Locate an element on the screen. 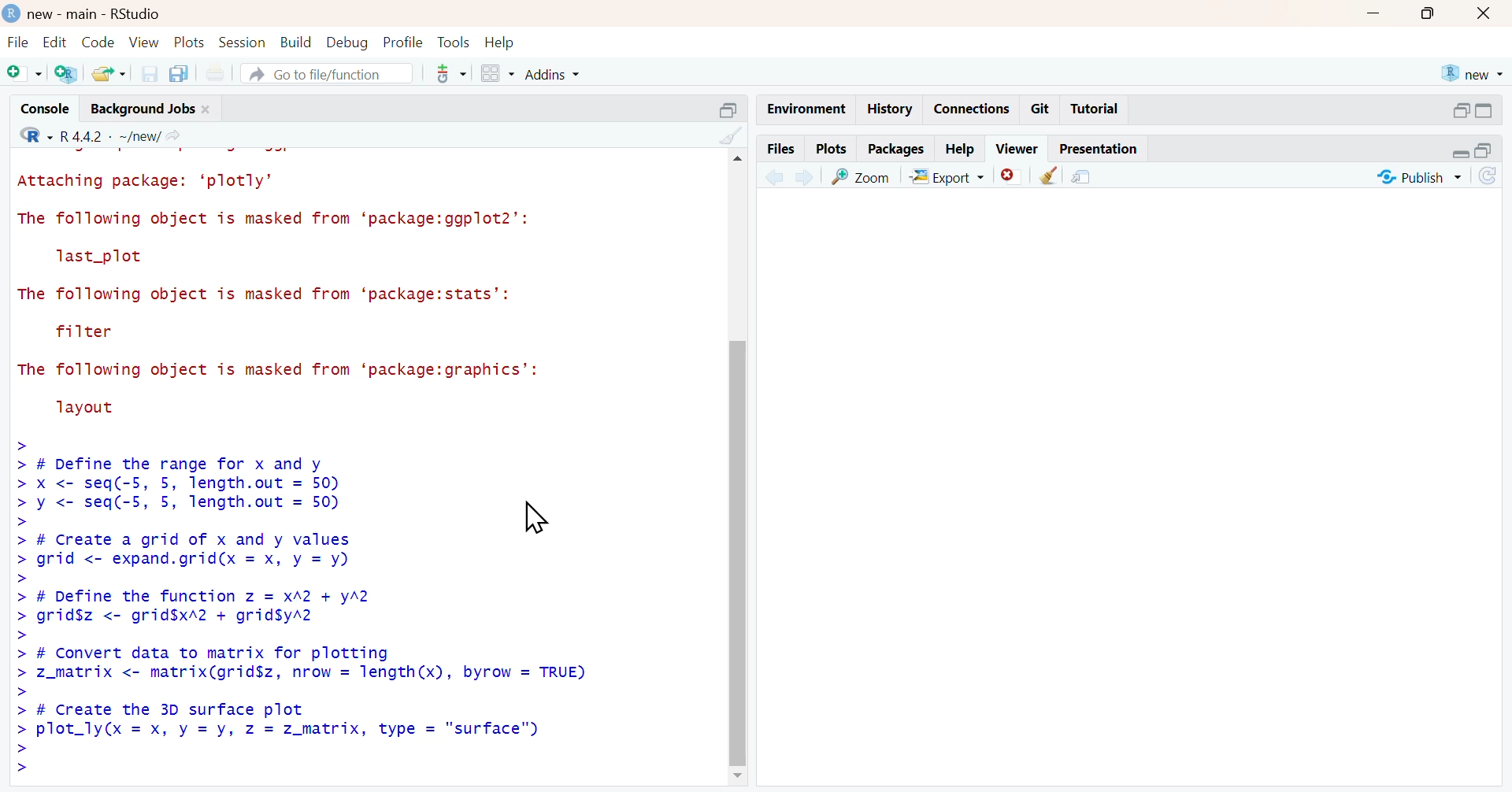  viewer is located at coordinates (1018, 148).